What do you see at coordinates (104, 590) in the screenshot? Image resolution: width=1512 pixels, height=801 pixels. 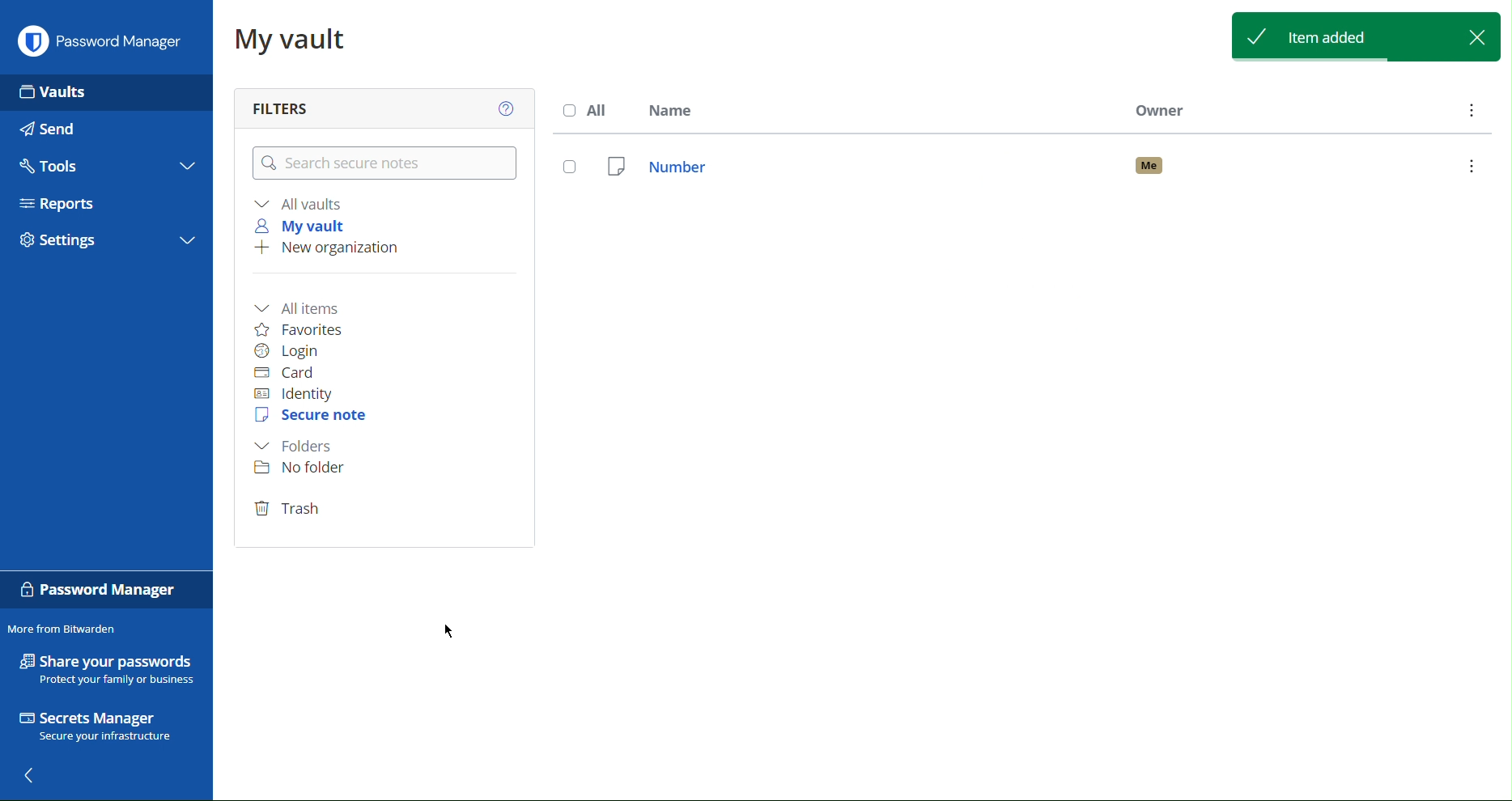 I see `Password Manager` at bounding box center [104, 590].